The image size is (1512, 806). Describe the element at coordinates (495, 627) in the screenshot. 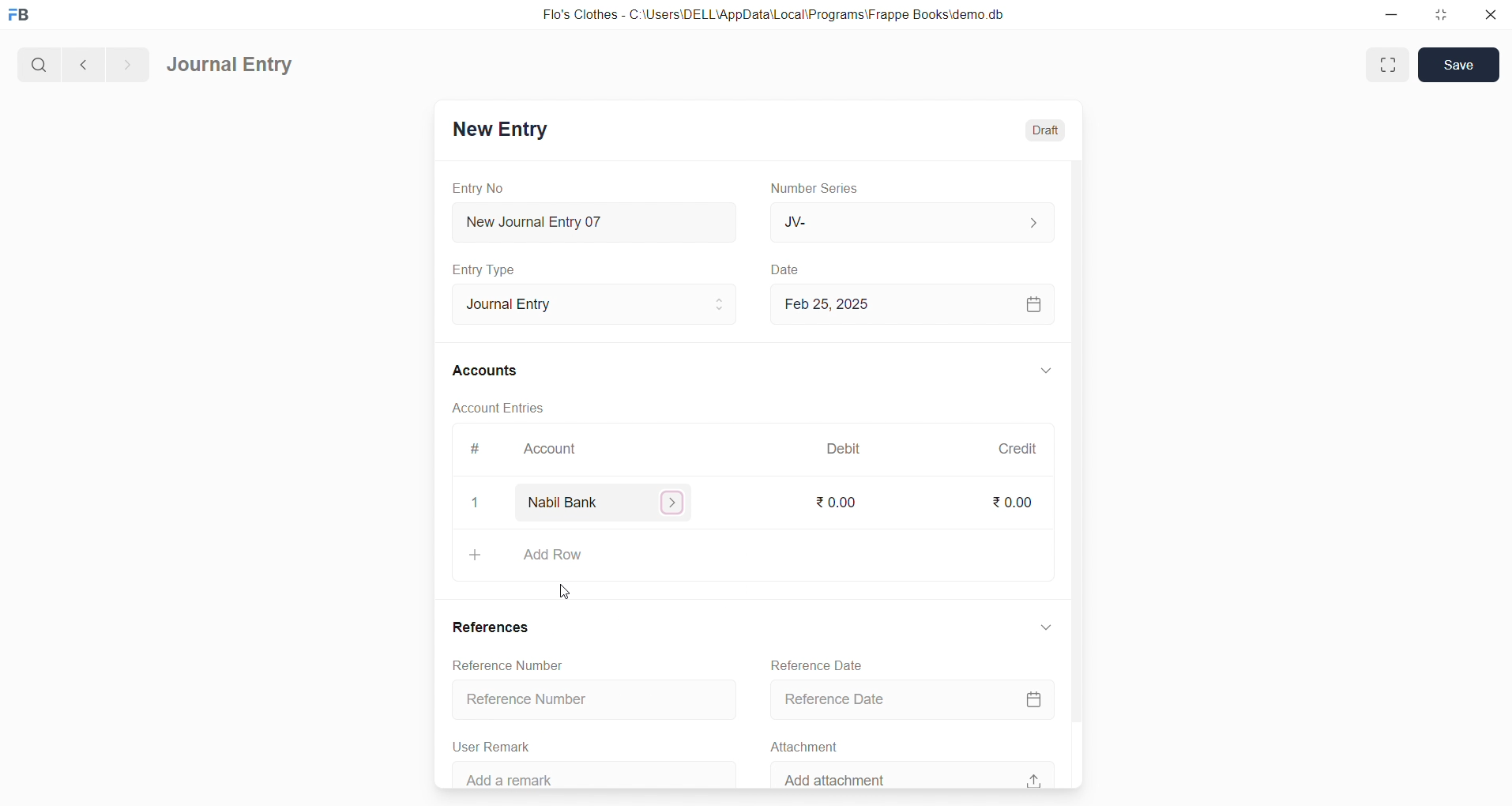

I see `References` at that location.